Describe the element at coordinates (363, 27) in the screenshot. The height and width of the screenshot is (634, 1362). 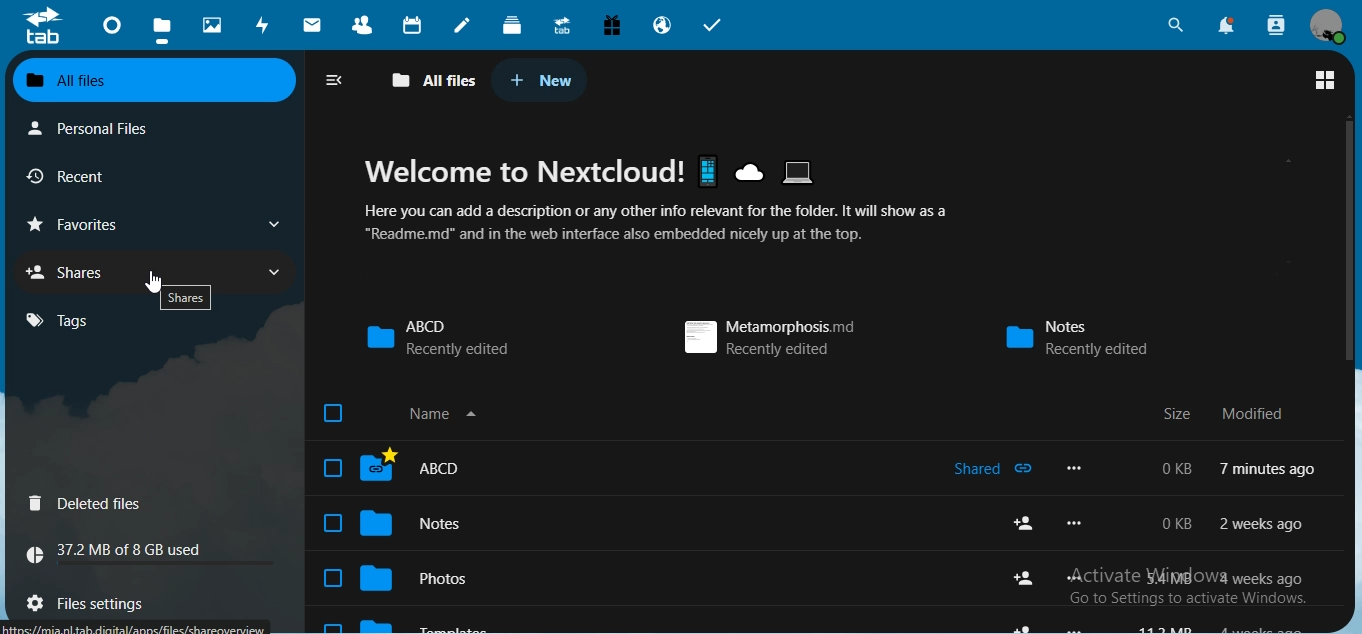
I see `contacts` at that location.